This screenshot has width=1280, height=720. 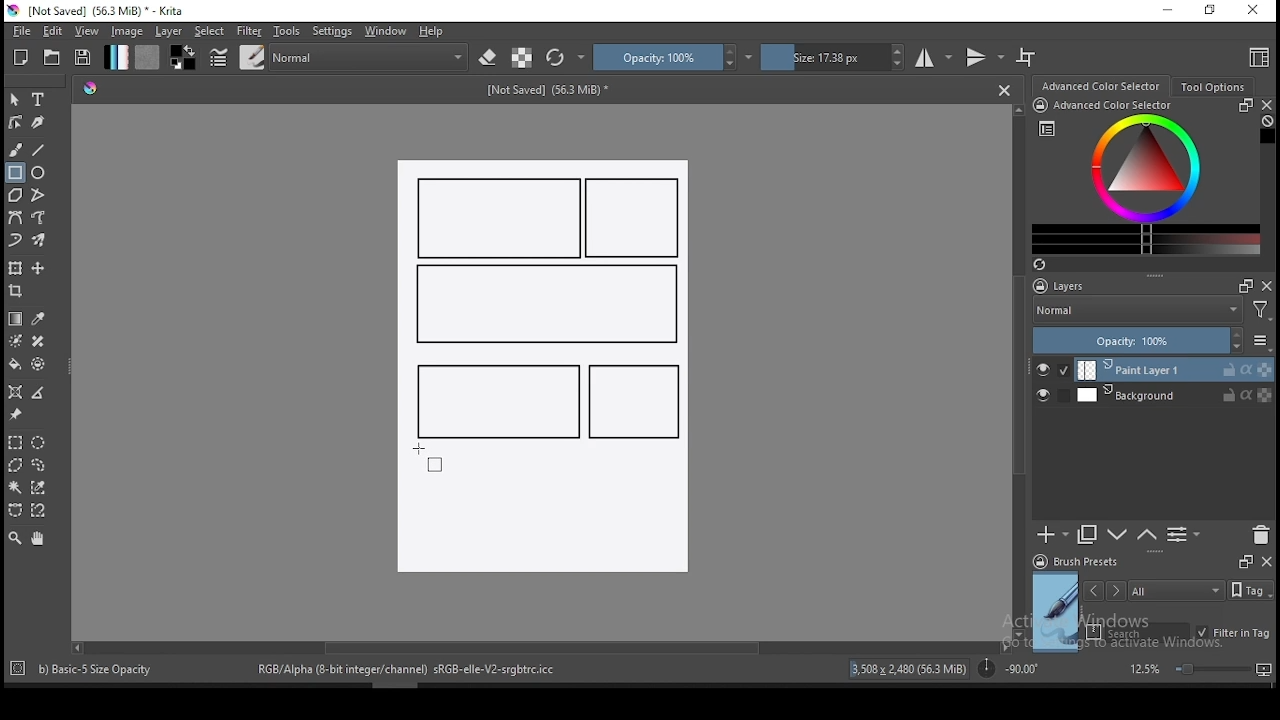 What do you see at coordinates (17, 341) in the screenshot?
I see `colorize mask tool` at bounding box center [17, 341].